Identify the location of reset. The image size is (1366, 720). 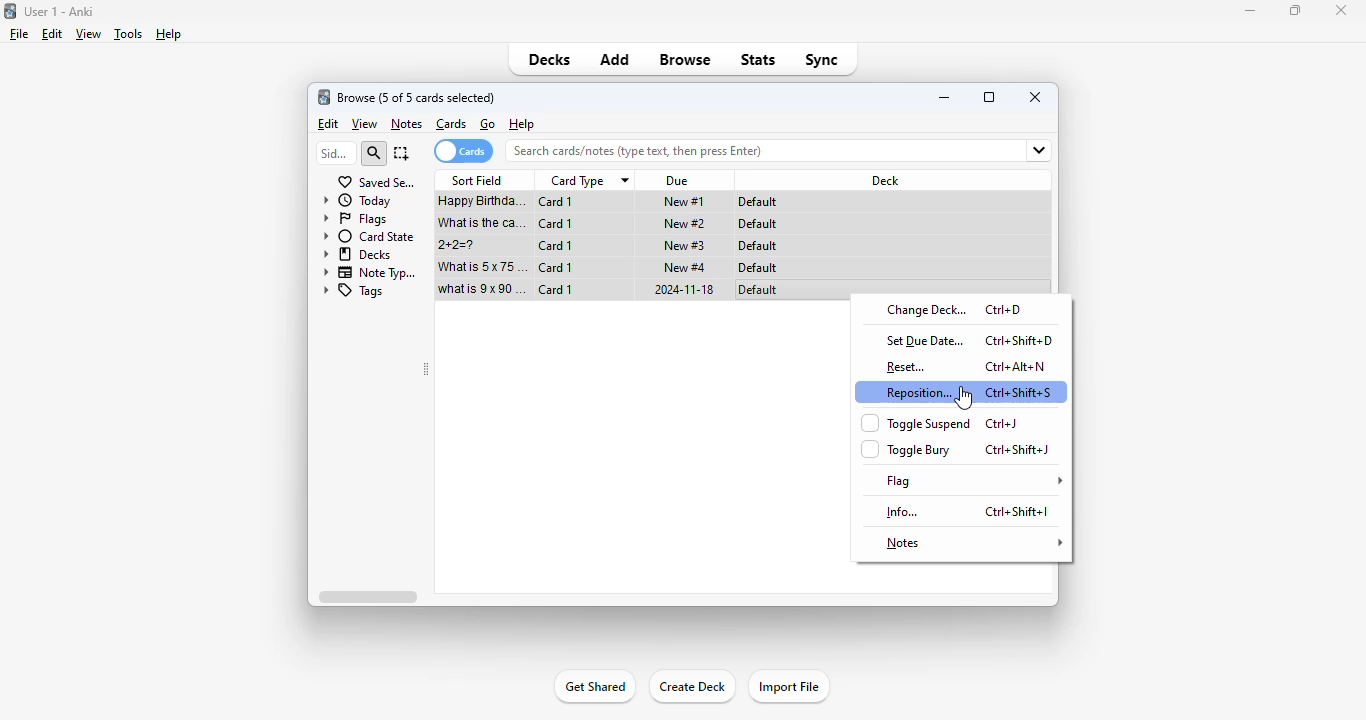
(907, 368).